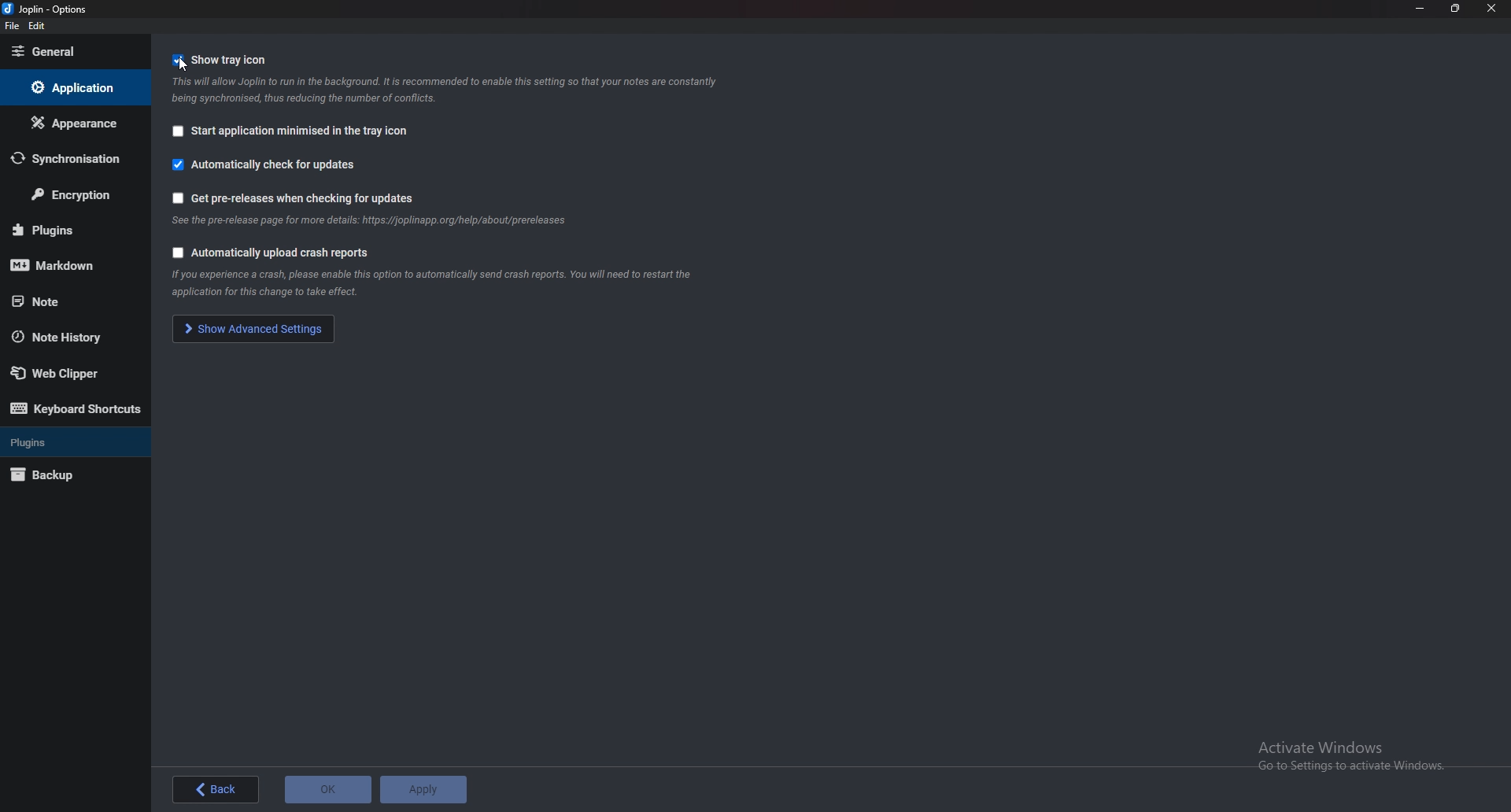  What do you see at coordinates (230, 60) in the screenshot?
I see `Show tray icon` at bounding box center [230, 60].